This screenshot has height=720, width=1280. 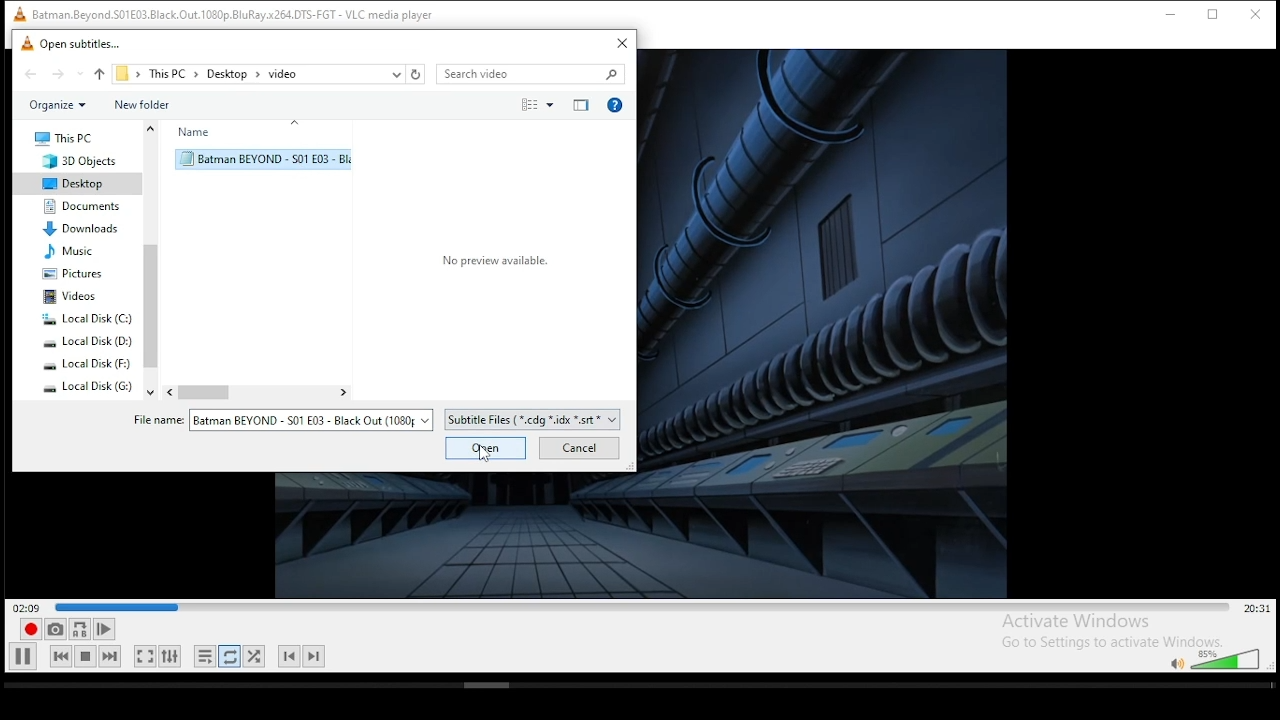 What do you see at coordinates (55, 630) in the screenshot?
I see `take a snapshot` at bounding box center [55, 630].